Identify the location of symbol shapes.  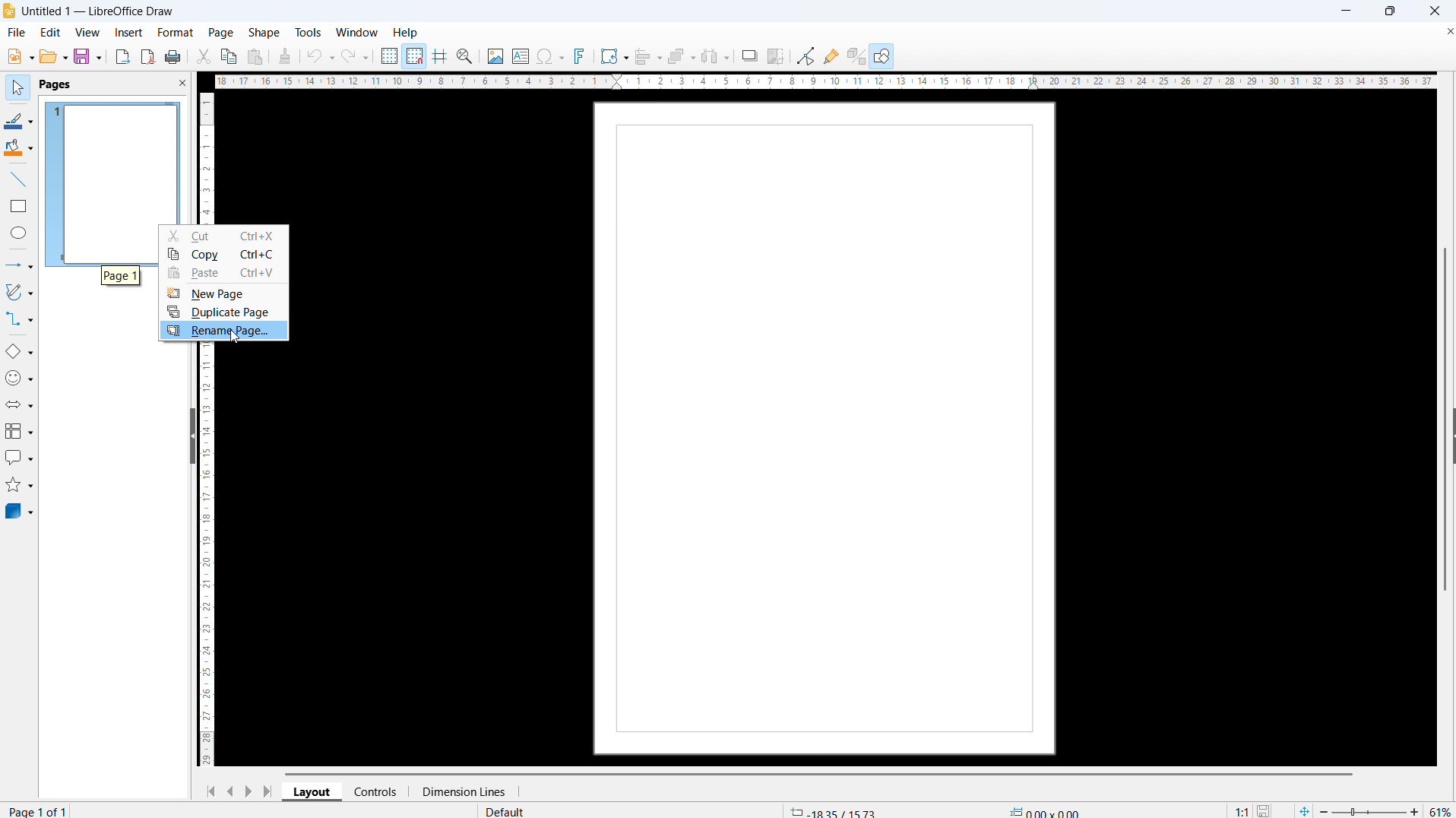
(19, 378).